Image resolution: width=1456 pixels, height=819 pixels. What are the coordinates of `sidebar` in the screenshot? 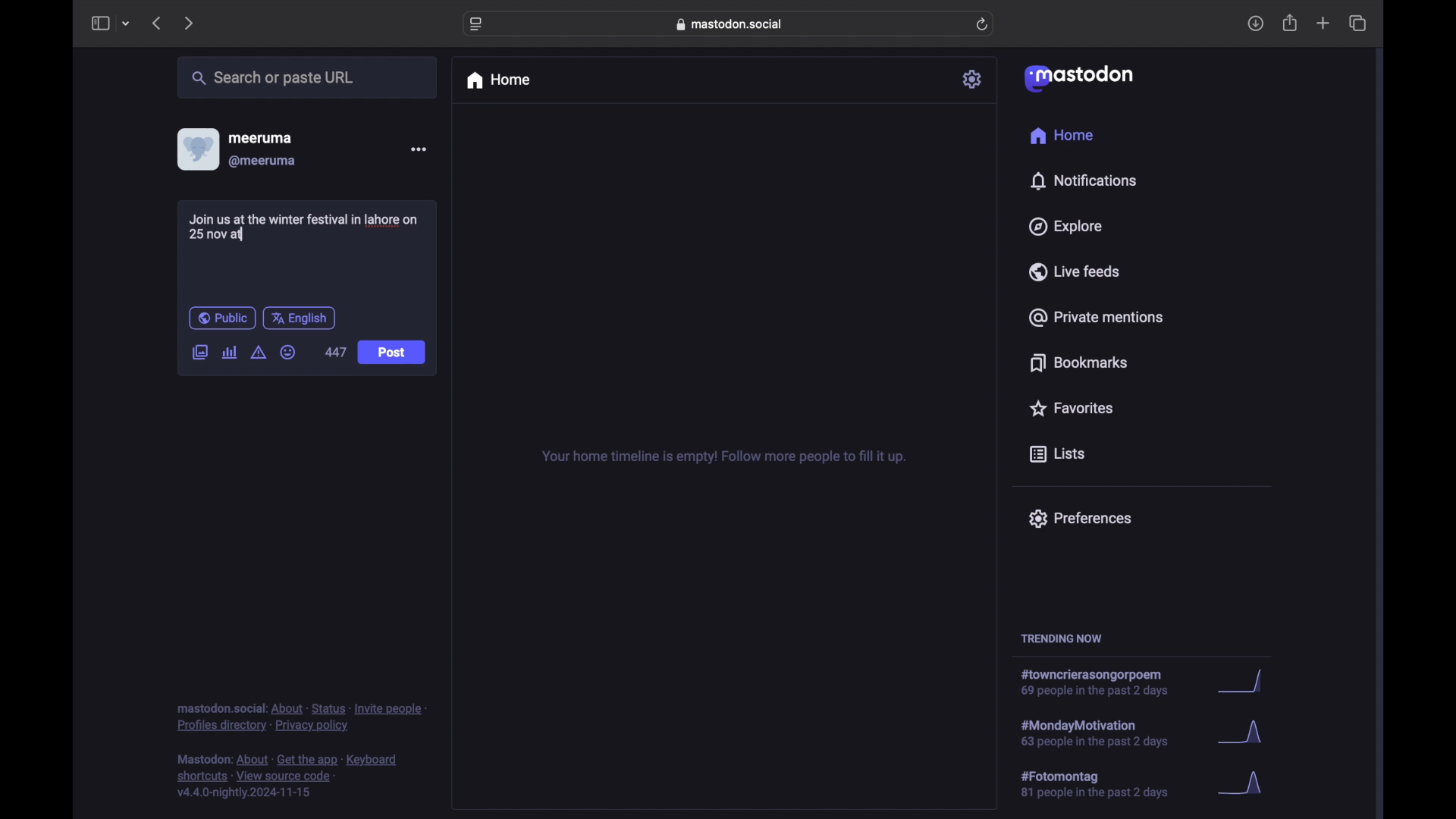 It's located at (99, 23).